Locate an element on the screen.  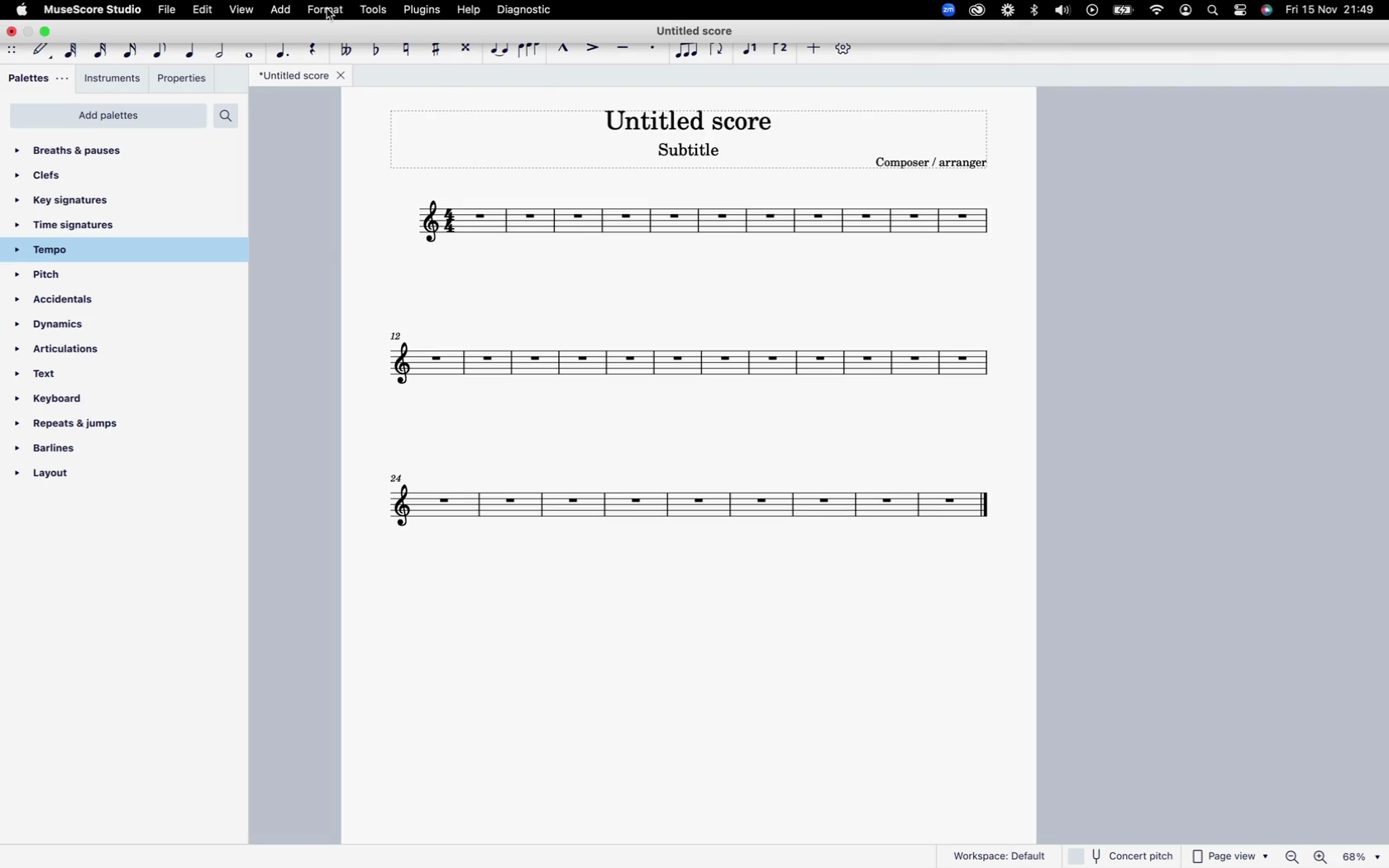
creative cloud is located at coordinates (977, 9).